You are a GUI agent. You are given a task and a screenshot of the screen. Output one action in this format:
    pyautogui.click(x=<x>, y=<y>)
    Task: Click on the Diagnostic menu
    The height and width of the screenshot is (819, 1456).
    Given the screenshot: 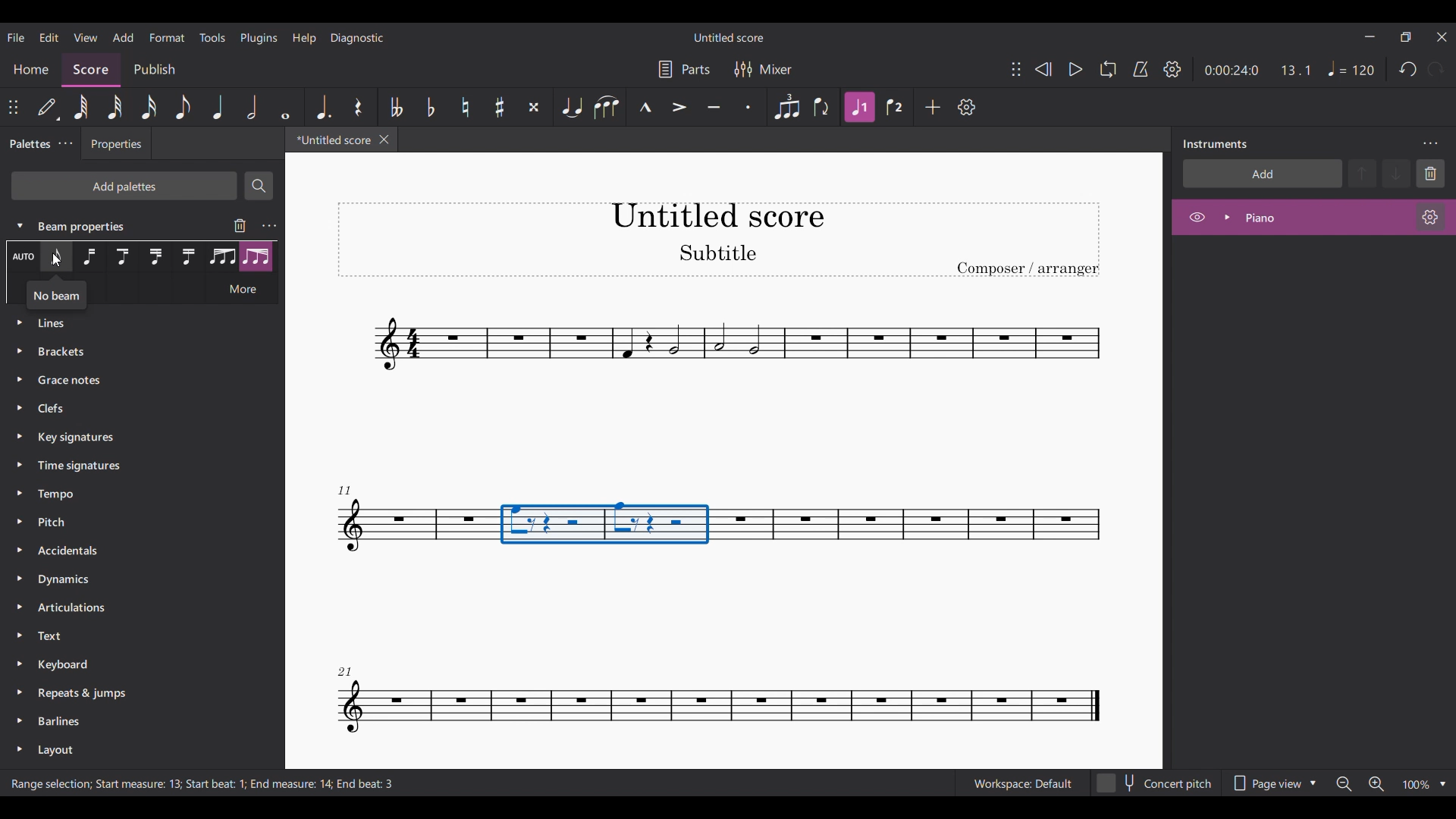 What is the action you would take?
    pyautogui.click(x=357, y=37)
    